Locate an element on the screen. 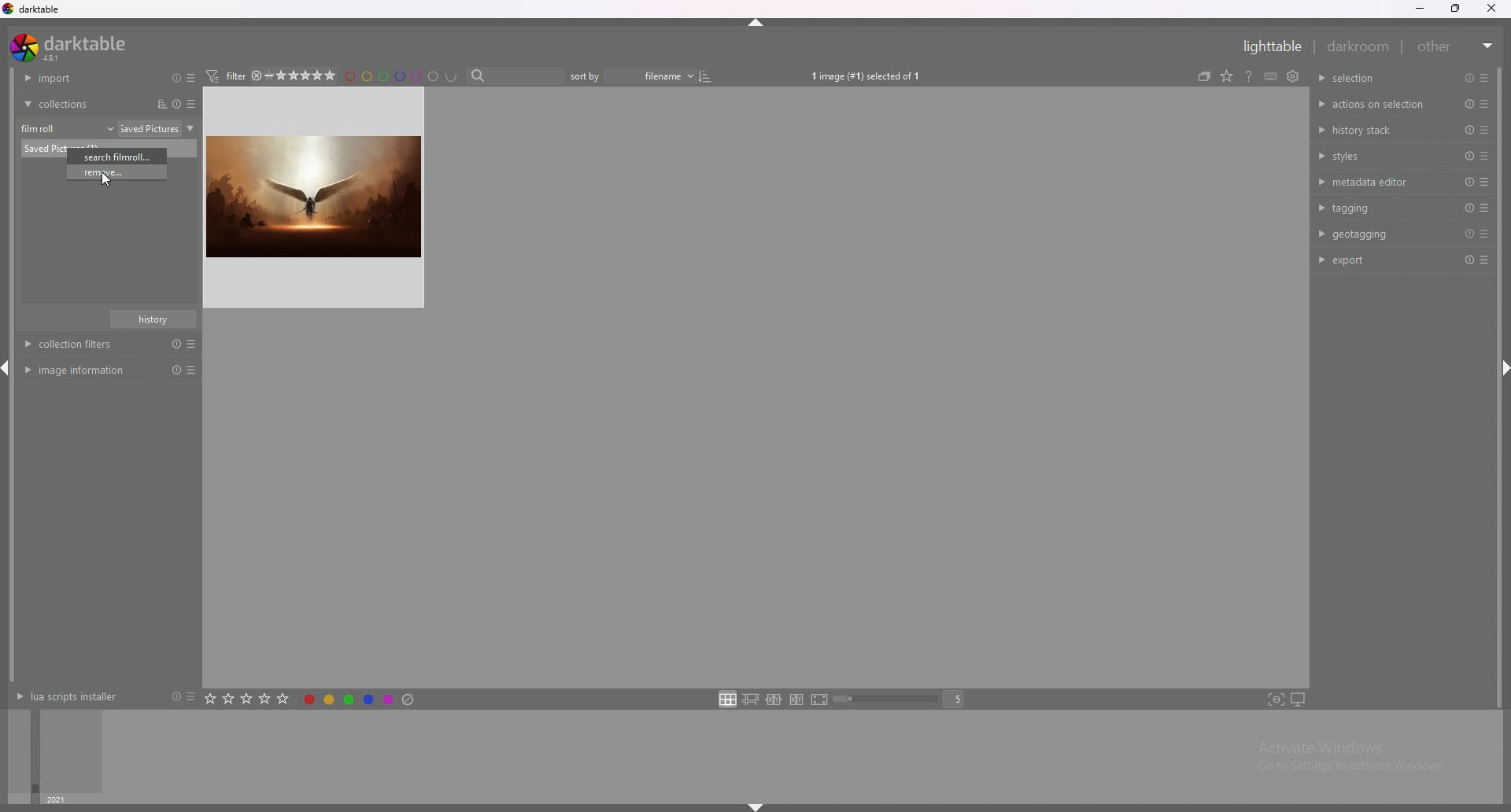 The width and height of the screenshot is (1511, 812). film roll is located at coordinates (68, 128).